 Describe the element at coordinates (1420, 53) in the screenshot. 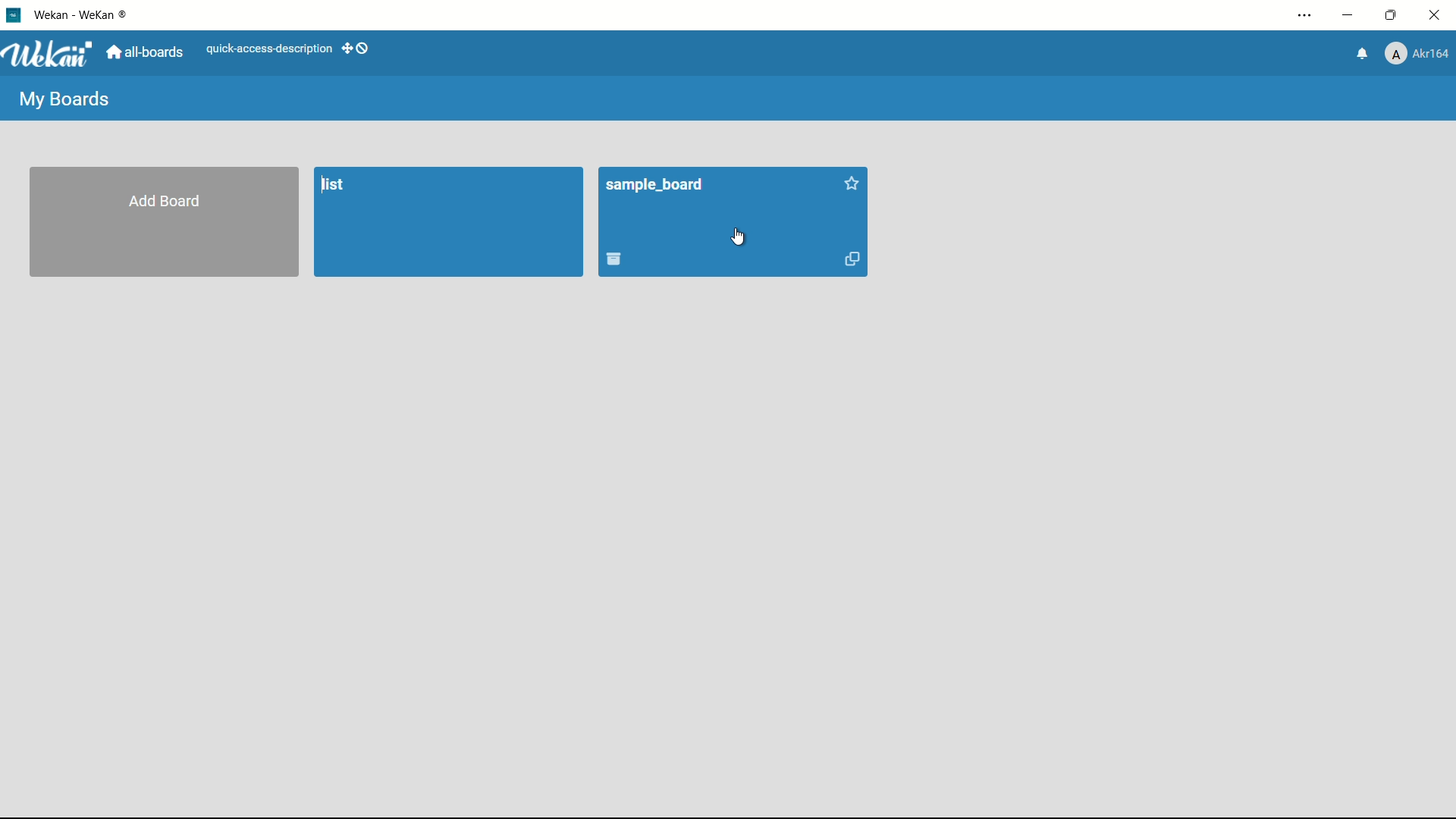

I see `profile` at that location.